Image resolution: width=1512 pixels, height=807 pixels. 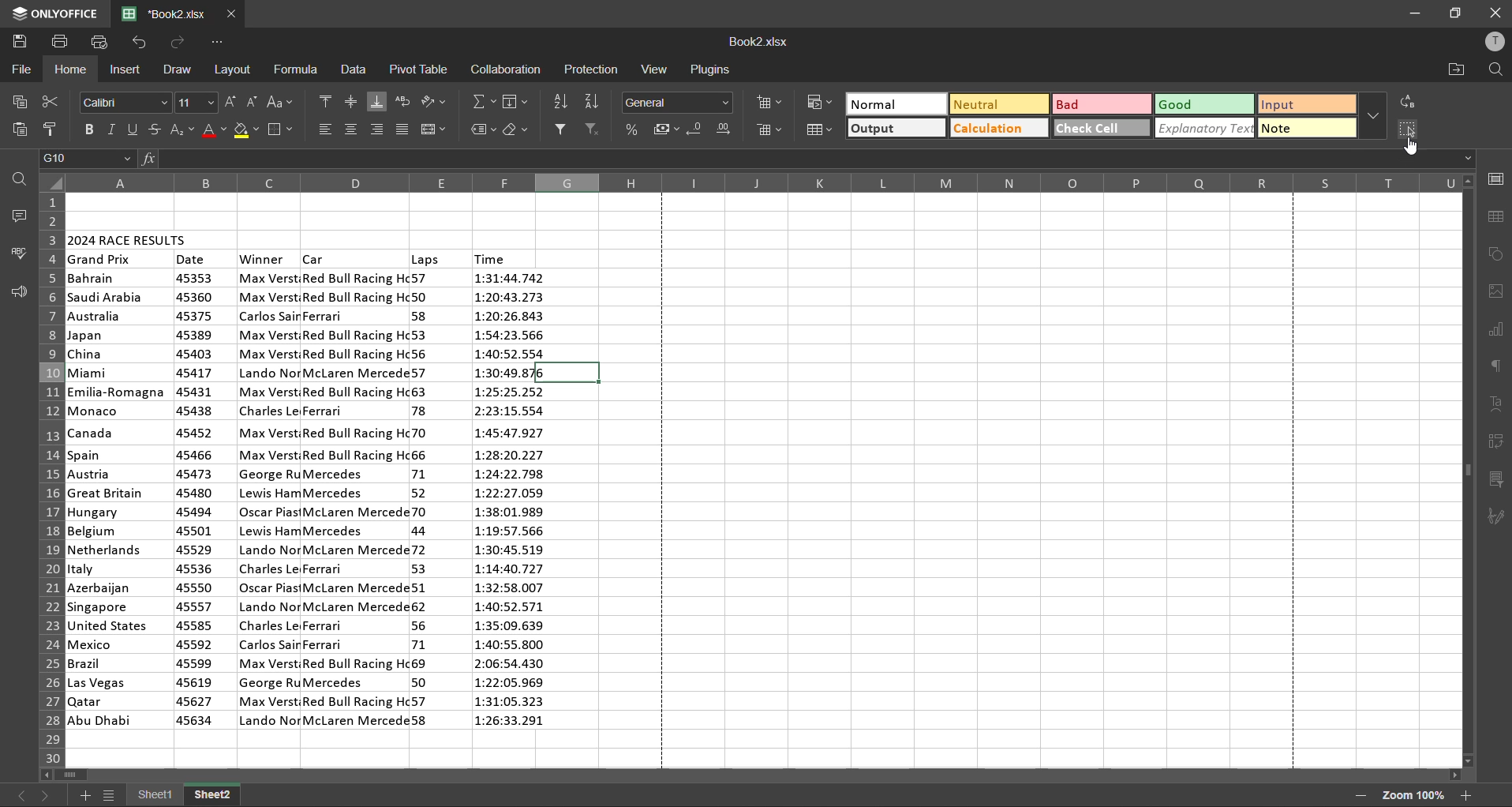 I want to click on paste, so click(x=23, y=131).